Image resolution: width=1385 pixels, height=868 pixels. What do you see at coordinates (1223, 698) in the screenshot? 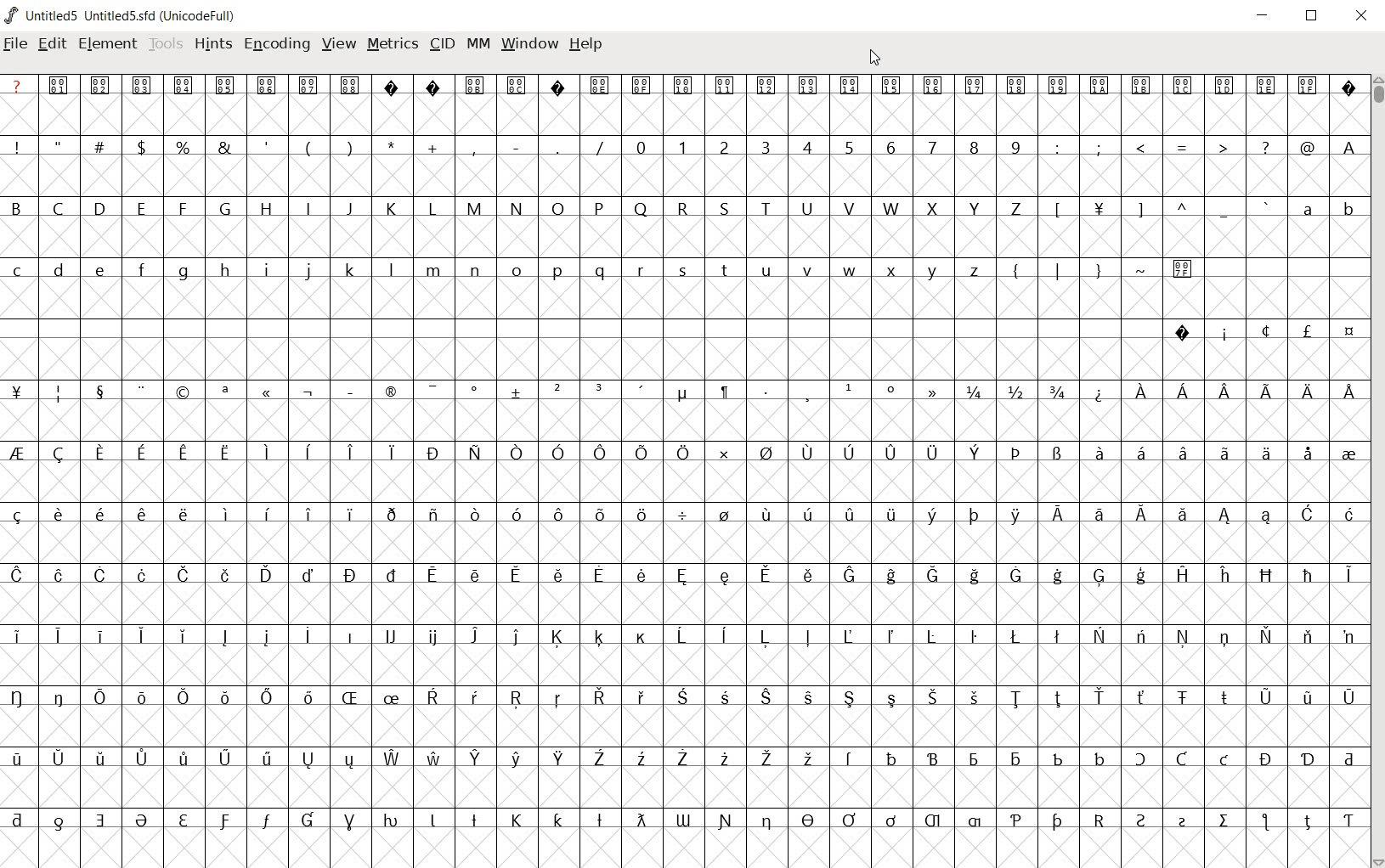
I see `Symbol` at bounding box center [1223, 698].